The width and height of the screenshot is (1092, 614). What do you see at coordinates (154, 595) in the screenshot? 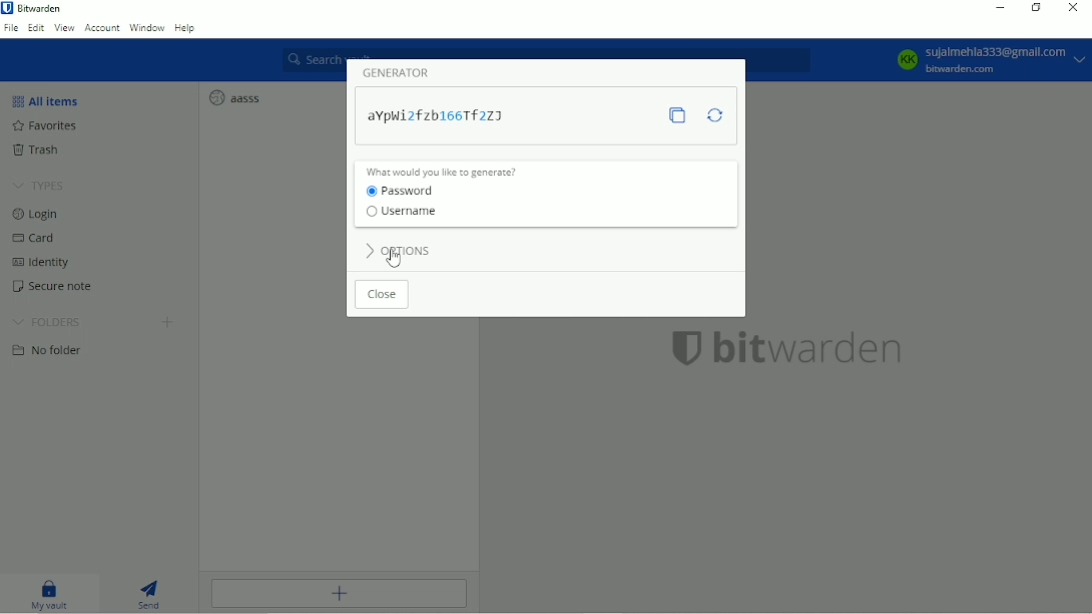
I see `Send` at bounding box center [154, 595].